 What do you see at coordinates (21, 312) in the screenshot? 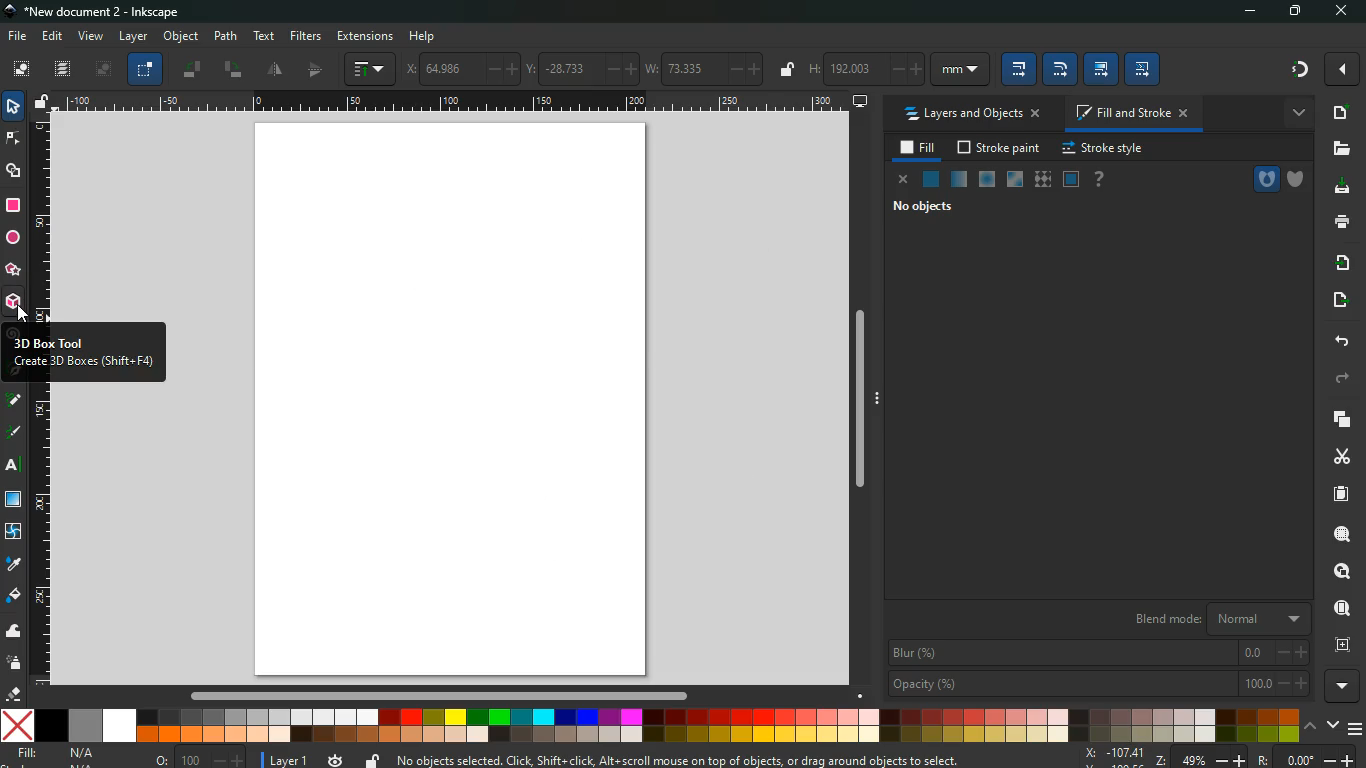
I see `Cursor` at bounding box center [21, 312].